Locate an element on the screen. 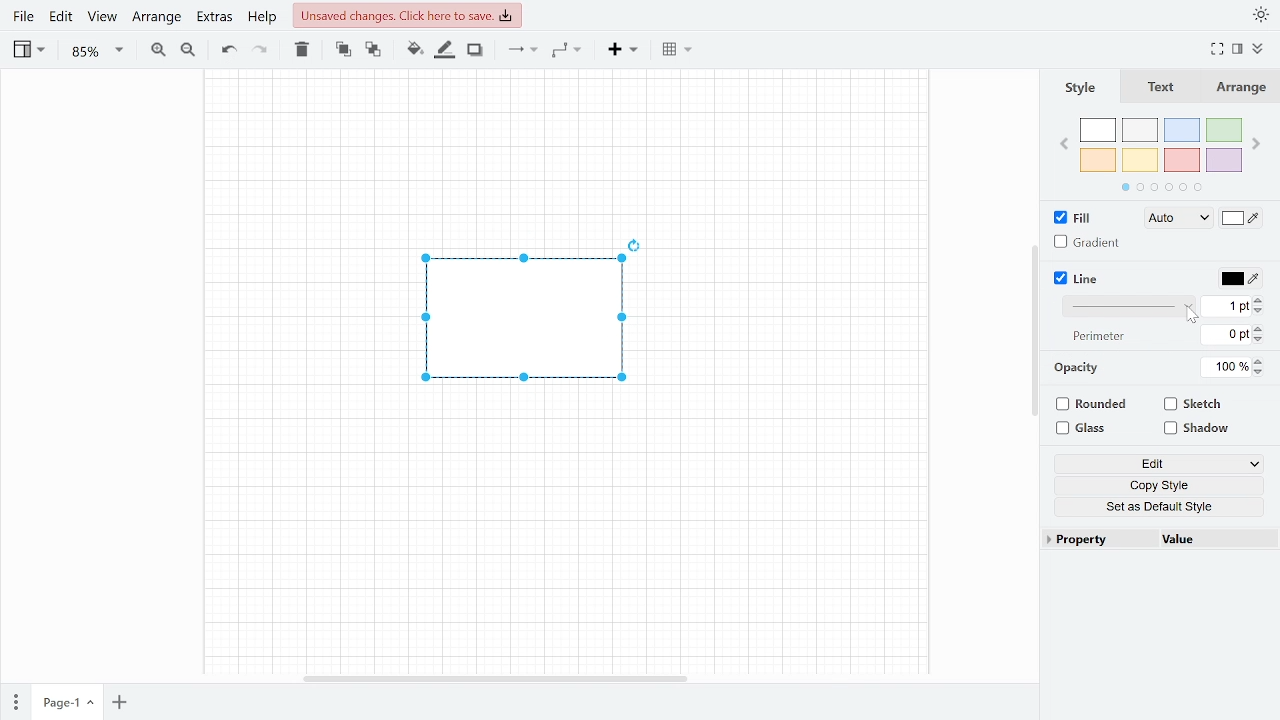 The width and height of the screenshot is (1280, 720). Previous is located at coordinates (1065, 145).